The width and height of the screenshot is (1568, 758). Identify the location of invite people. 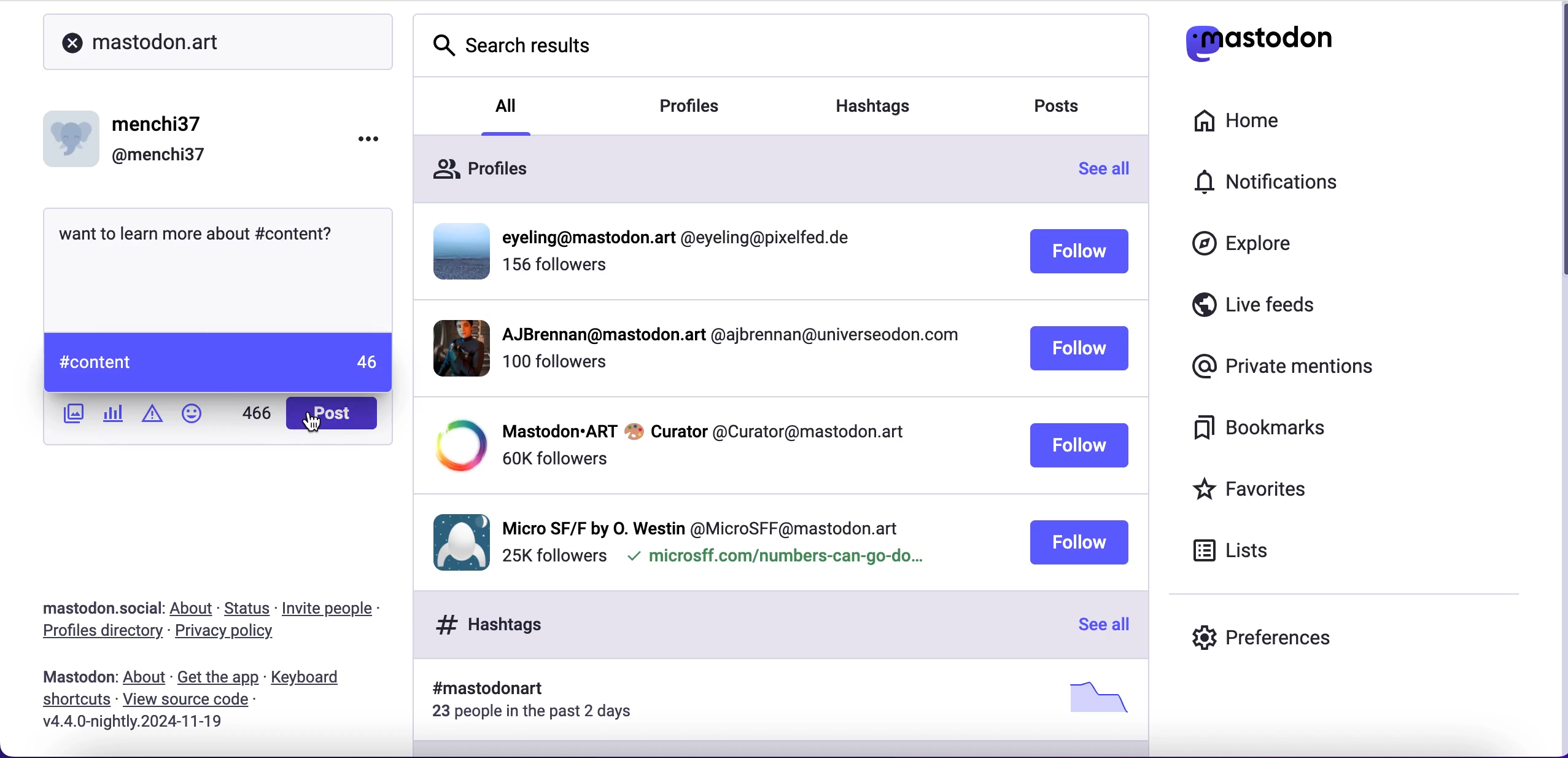
(340, 608).